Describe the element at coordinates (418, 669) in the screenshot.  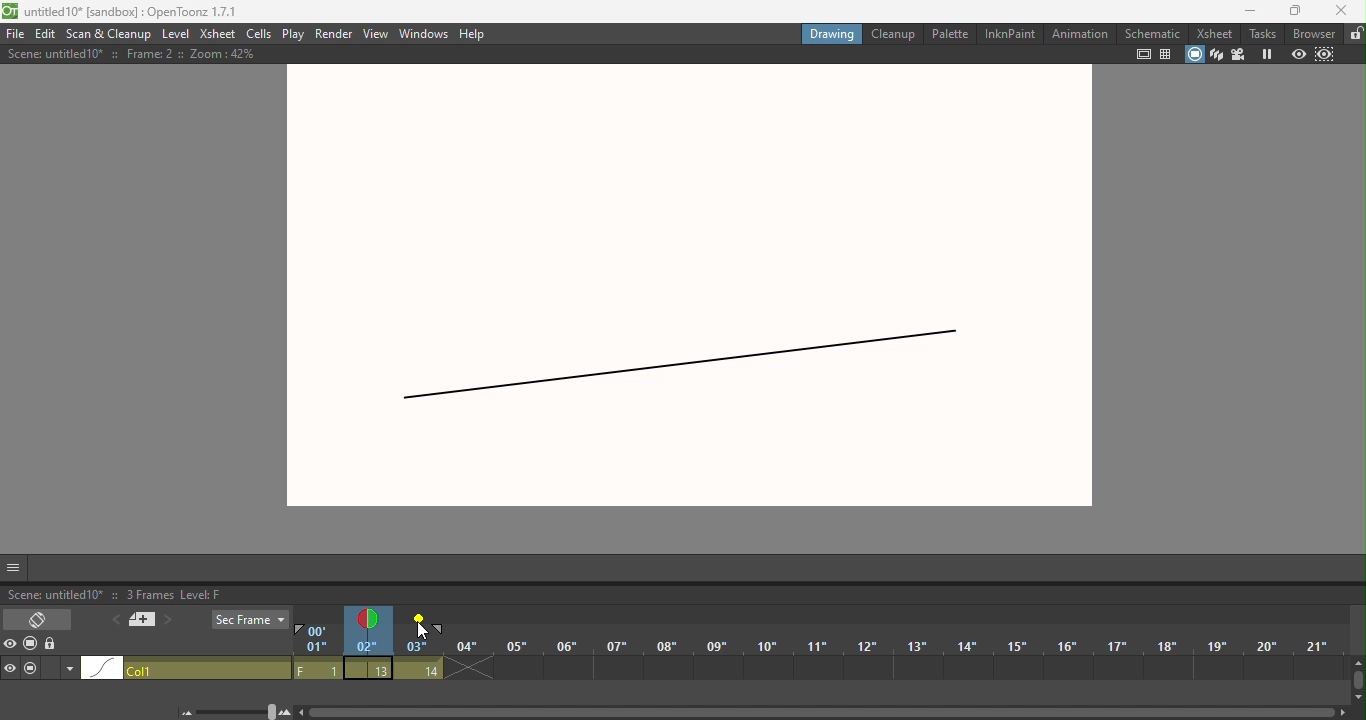
I see `14` at that location.